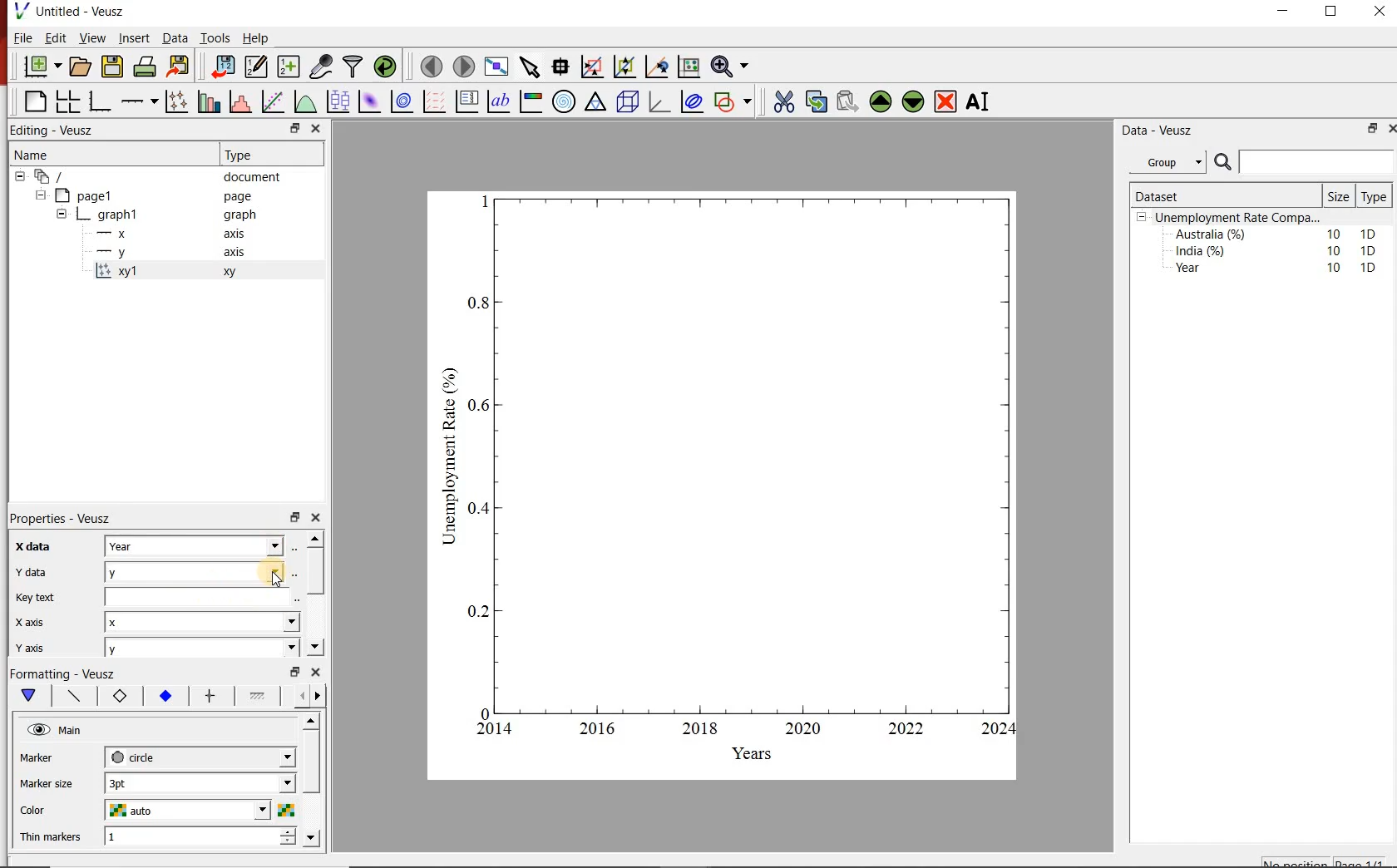  I want to click on paste the widgets, so click(848, 101).